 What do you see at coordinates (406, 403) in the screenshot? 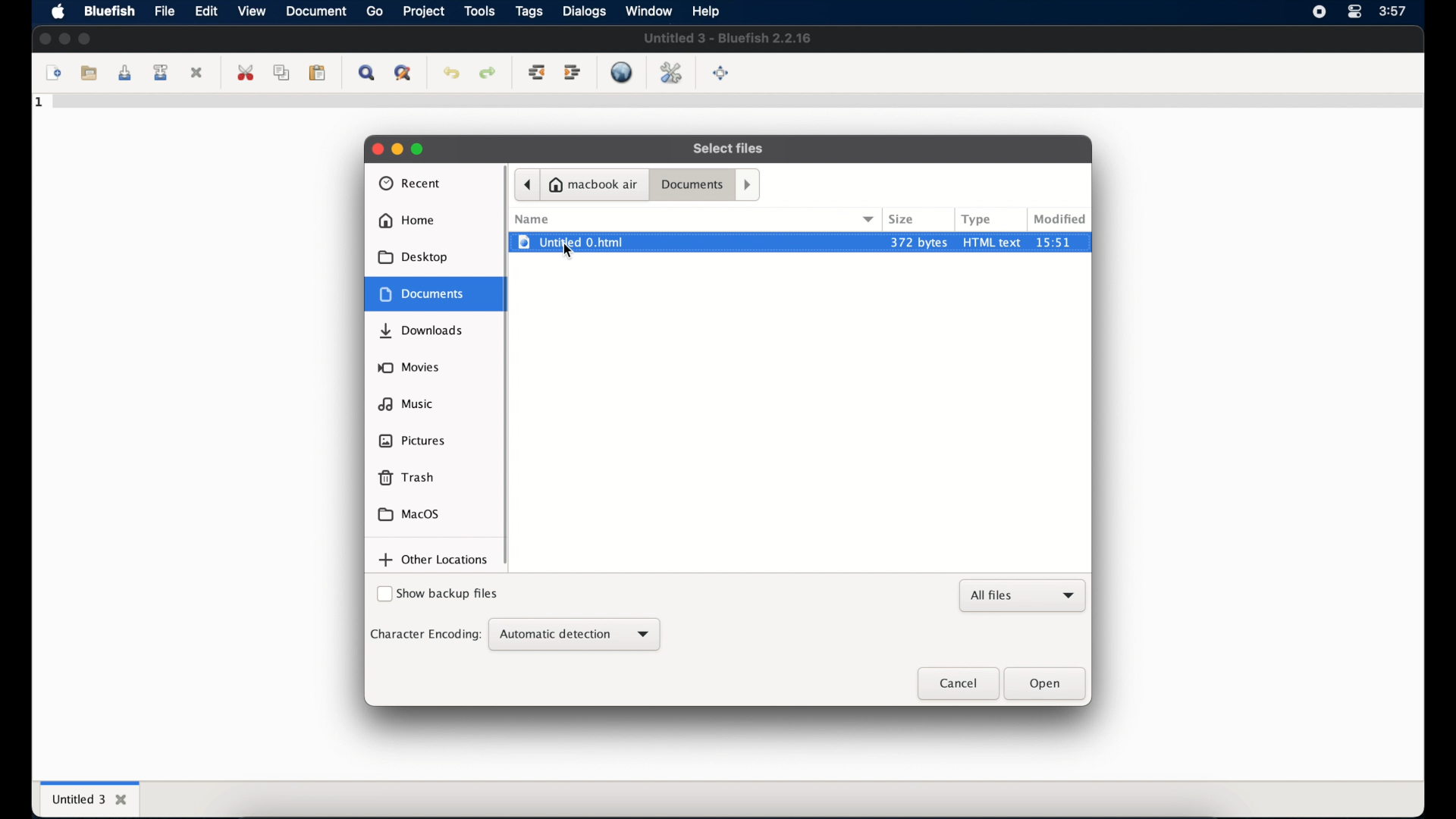
I see `music` at bounding box center [406, 403].